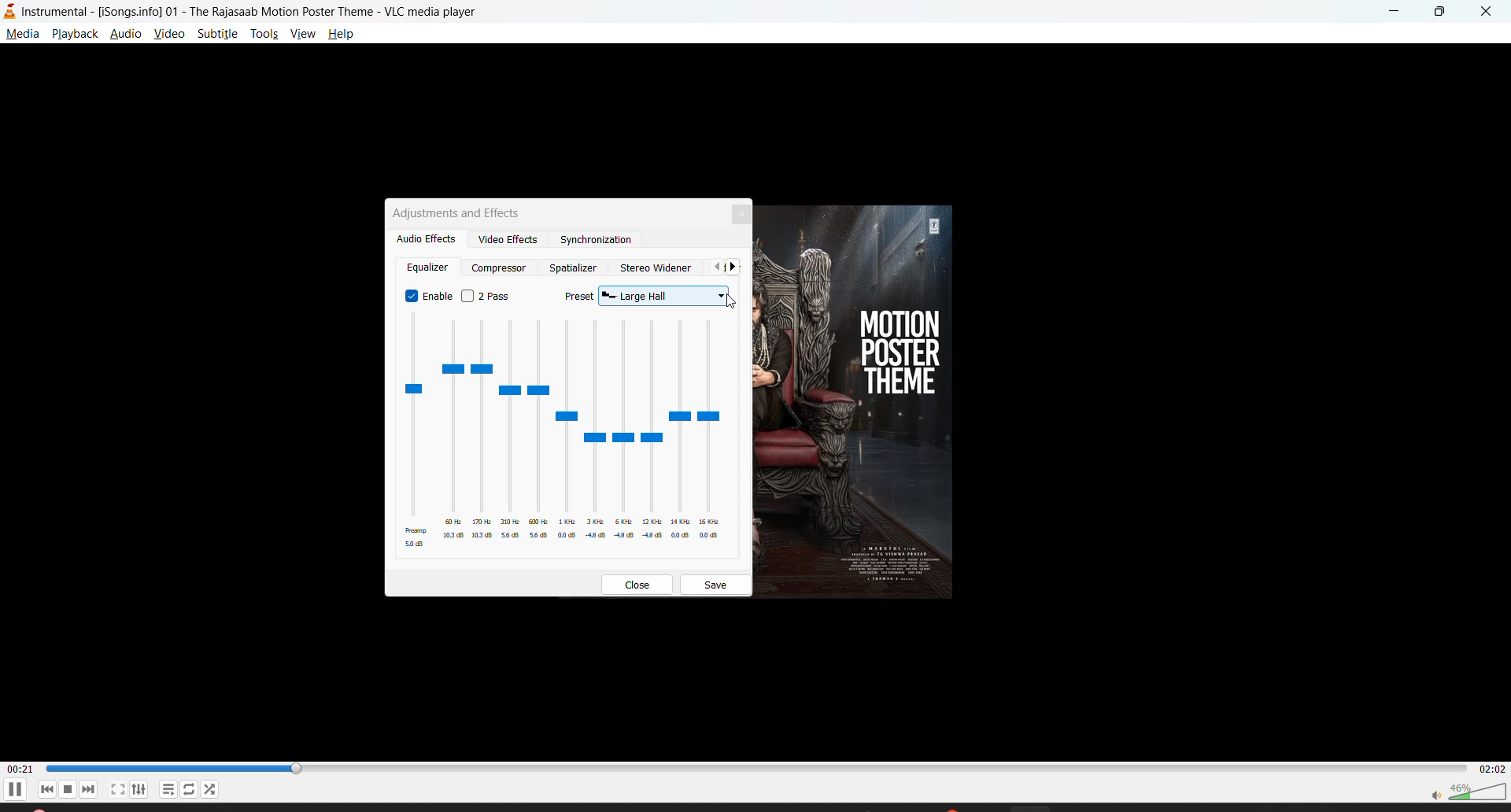  What do you see at coordinates (596, 241) in the screenshot?
I see `synchronization` at bounding box center [596, 241].